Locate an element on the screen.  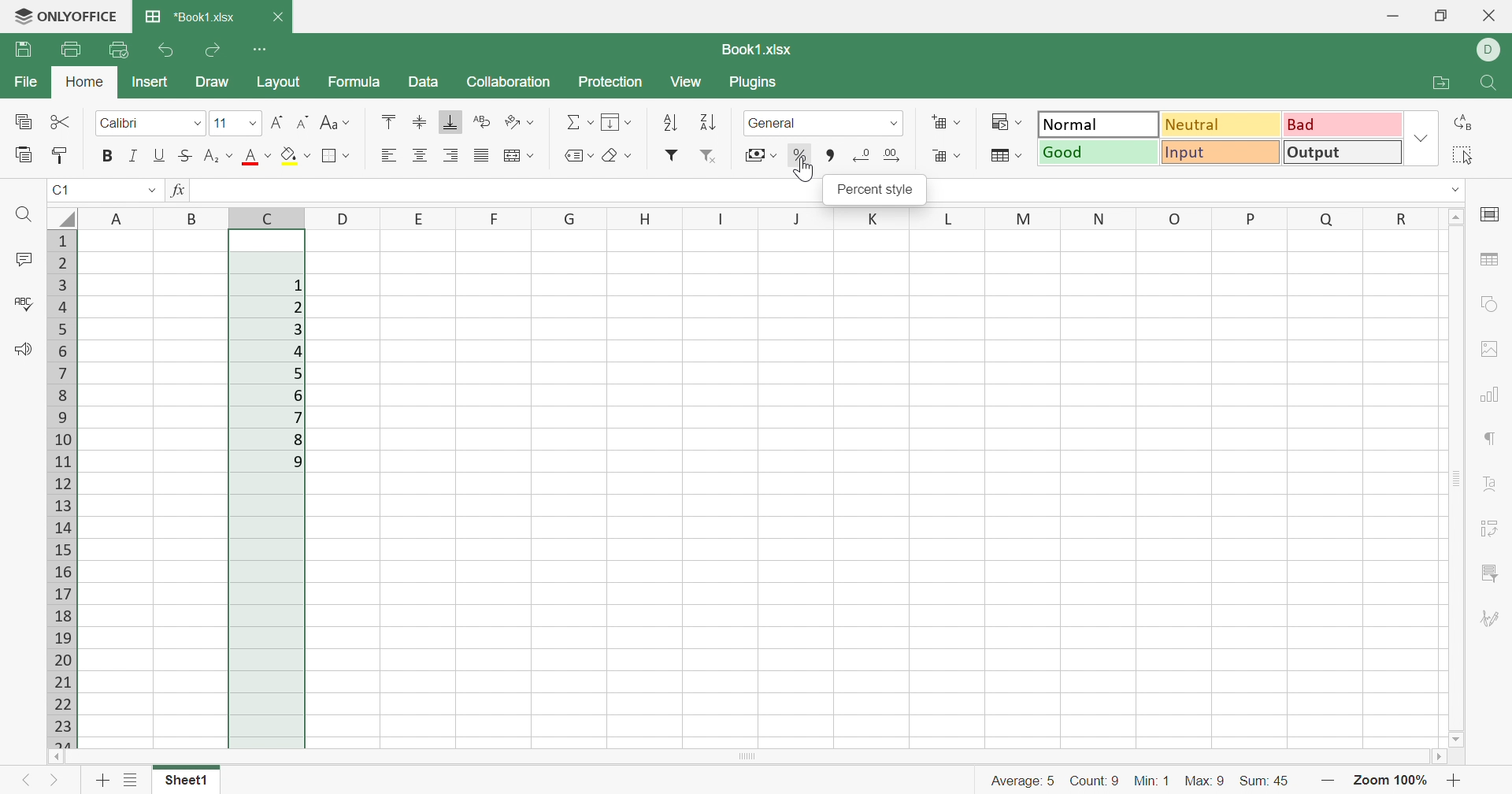
Align Top is located at coordinates (389, 121).